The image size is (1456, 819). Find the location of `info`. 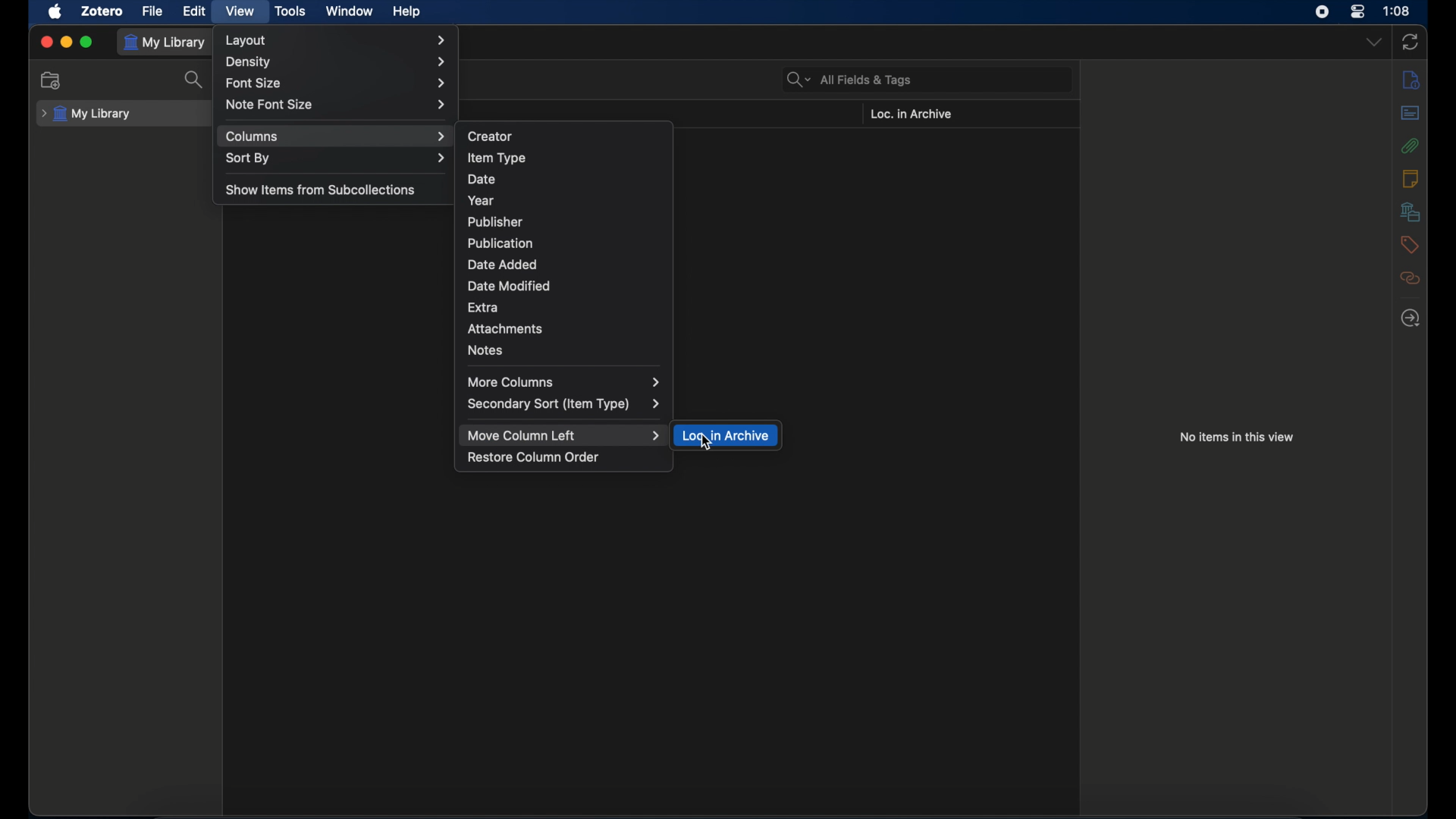

info is located at coordinates (1411, 80).